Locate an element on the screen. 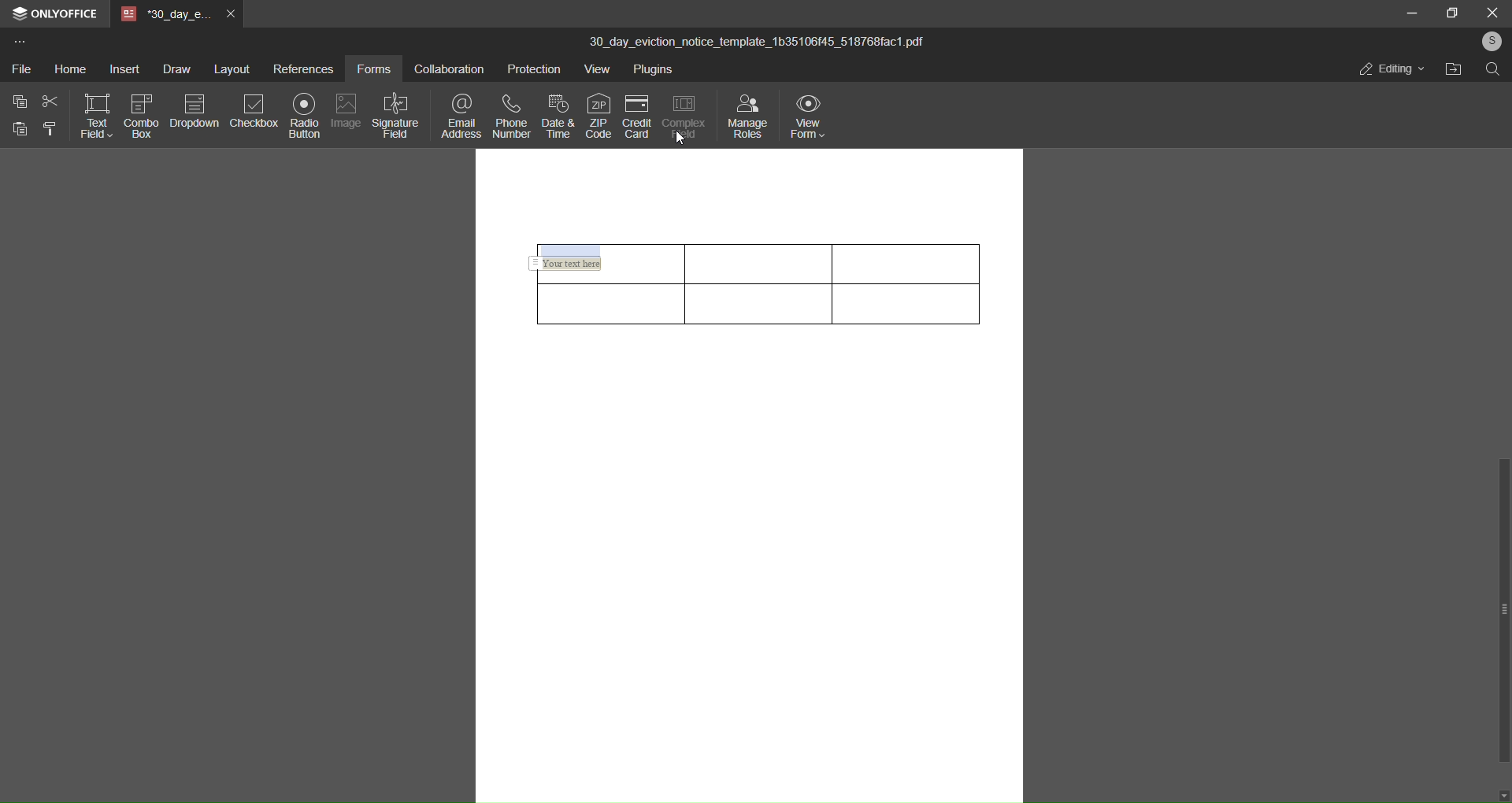 This screenshot has width=1512, height=803. view is located at coordinates (599, 72).